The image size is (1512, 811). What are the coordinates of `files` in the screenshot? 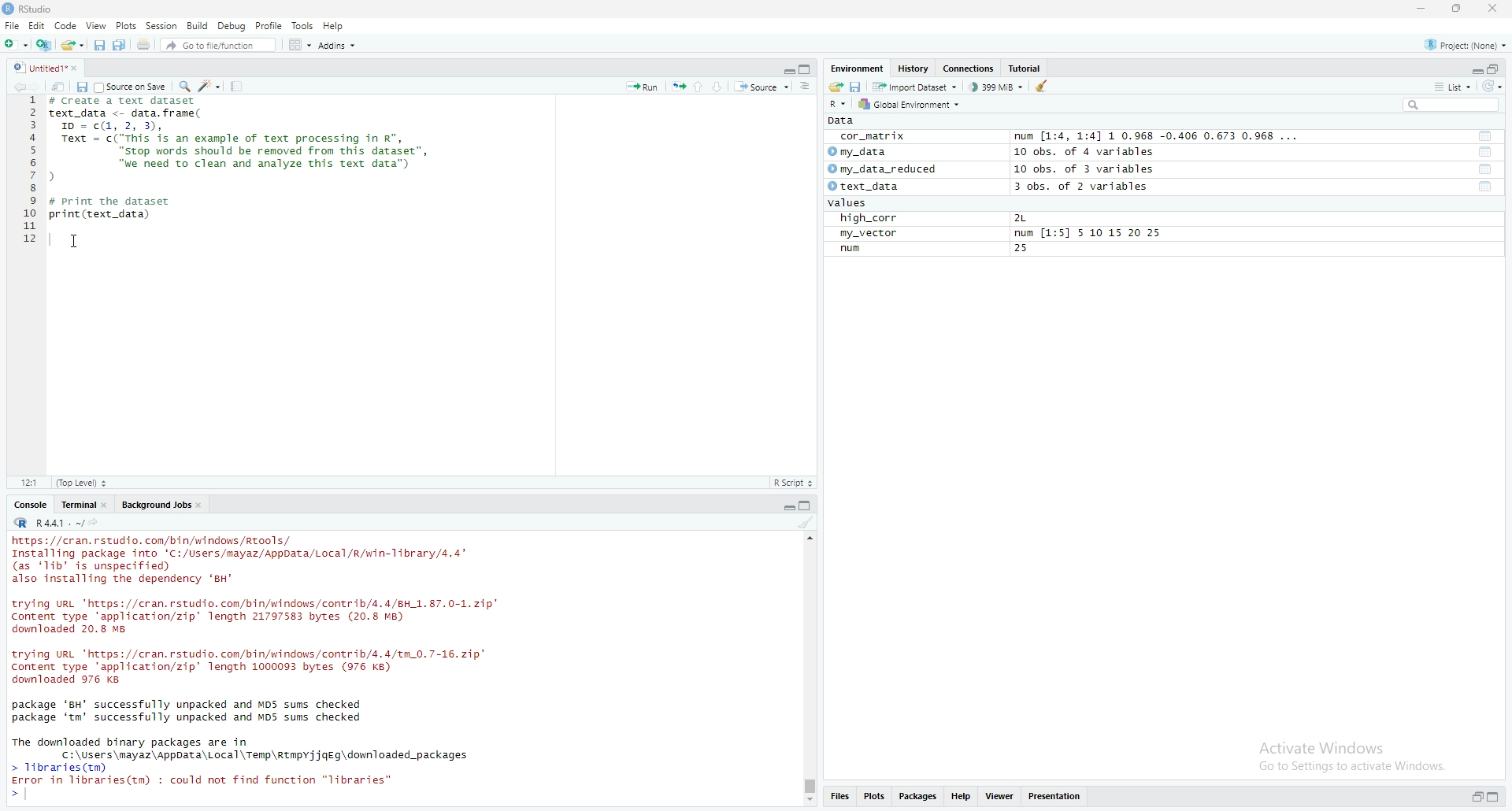 It's located at (840, 797).